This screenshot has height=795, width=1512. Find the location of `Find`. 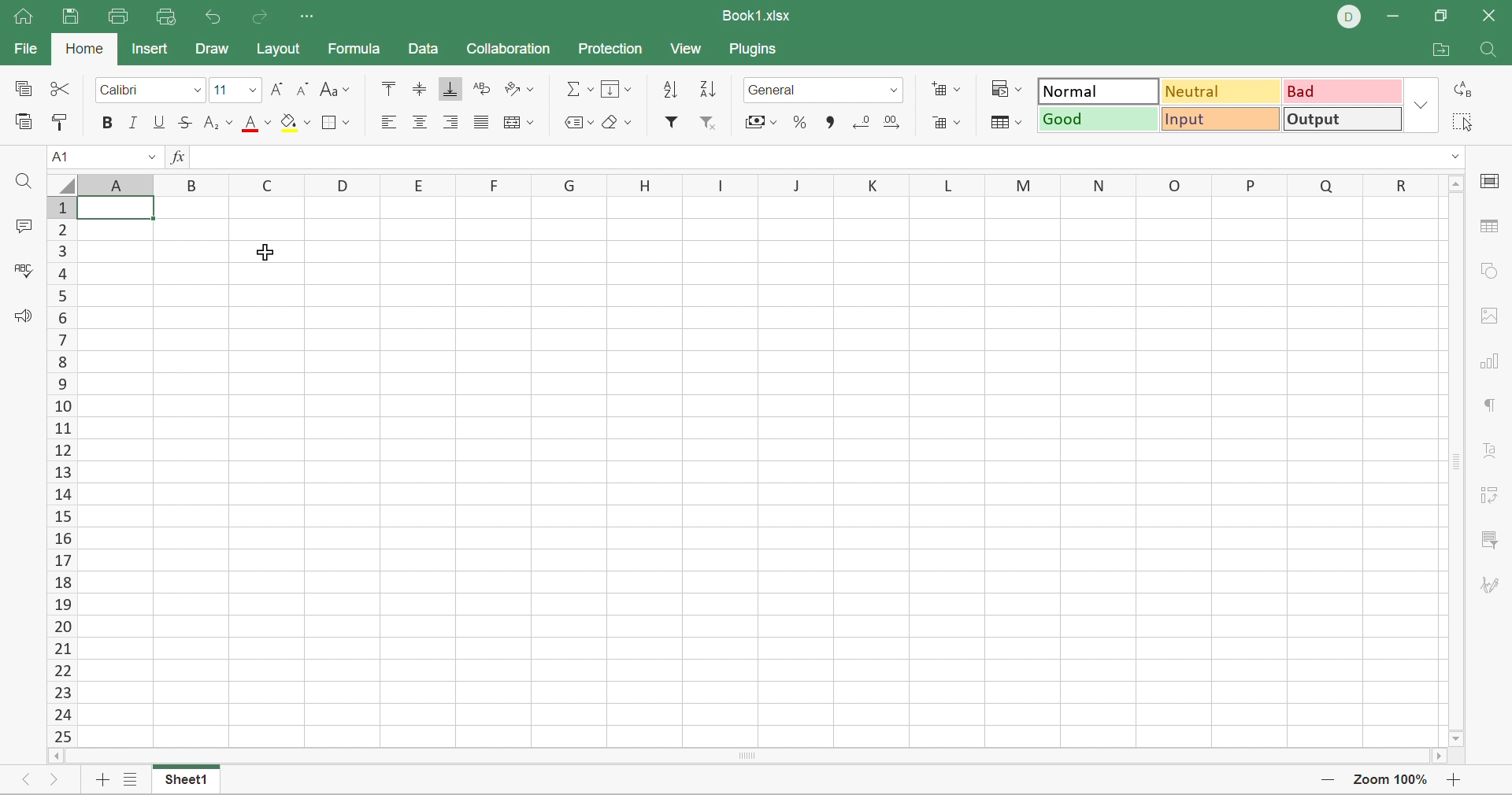

Find is located at coordinates (20, 184).